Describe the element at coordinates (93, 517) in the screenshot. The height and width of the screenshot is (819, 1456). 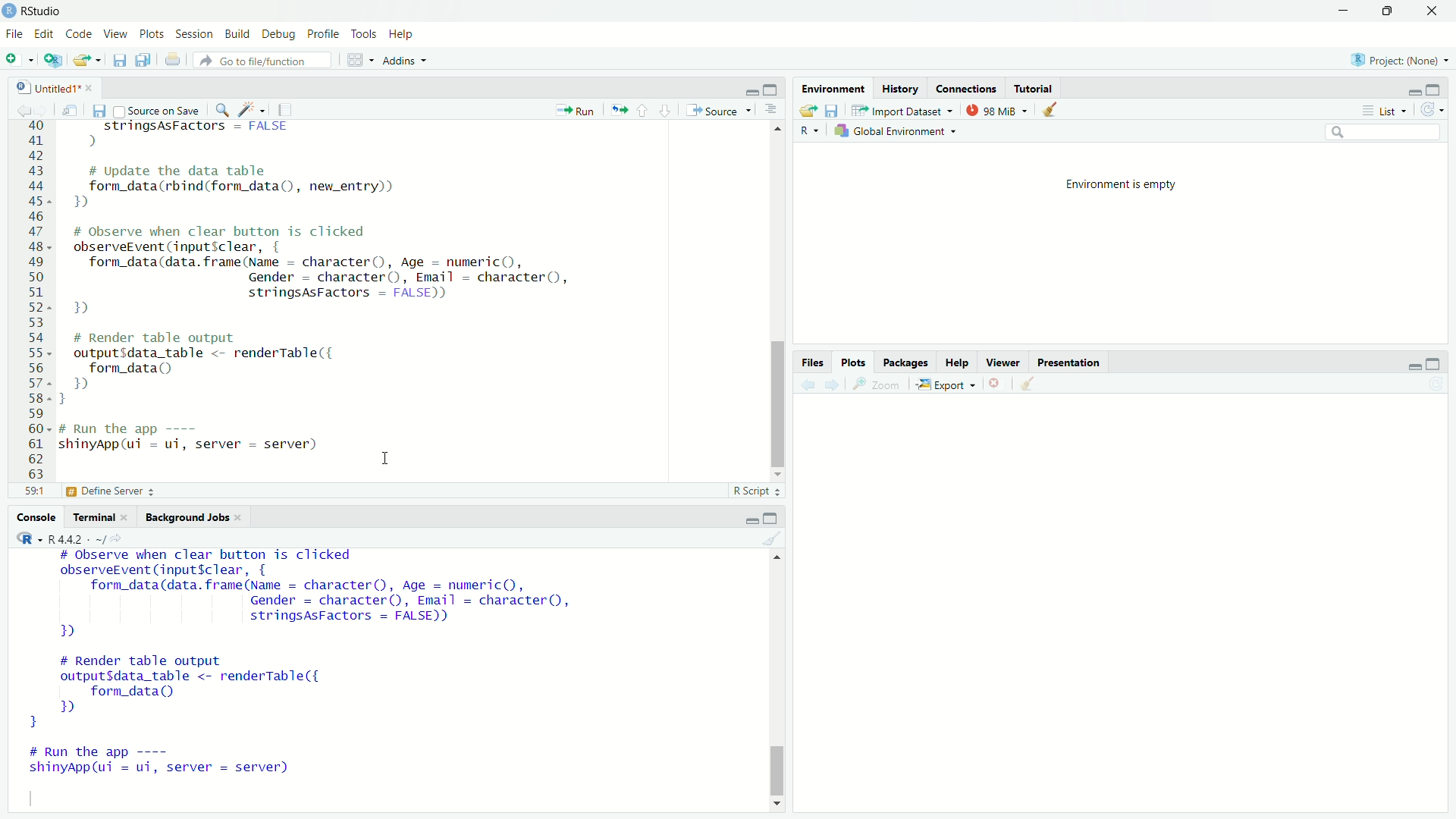
I see `terminal` at that location.